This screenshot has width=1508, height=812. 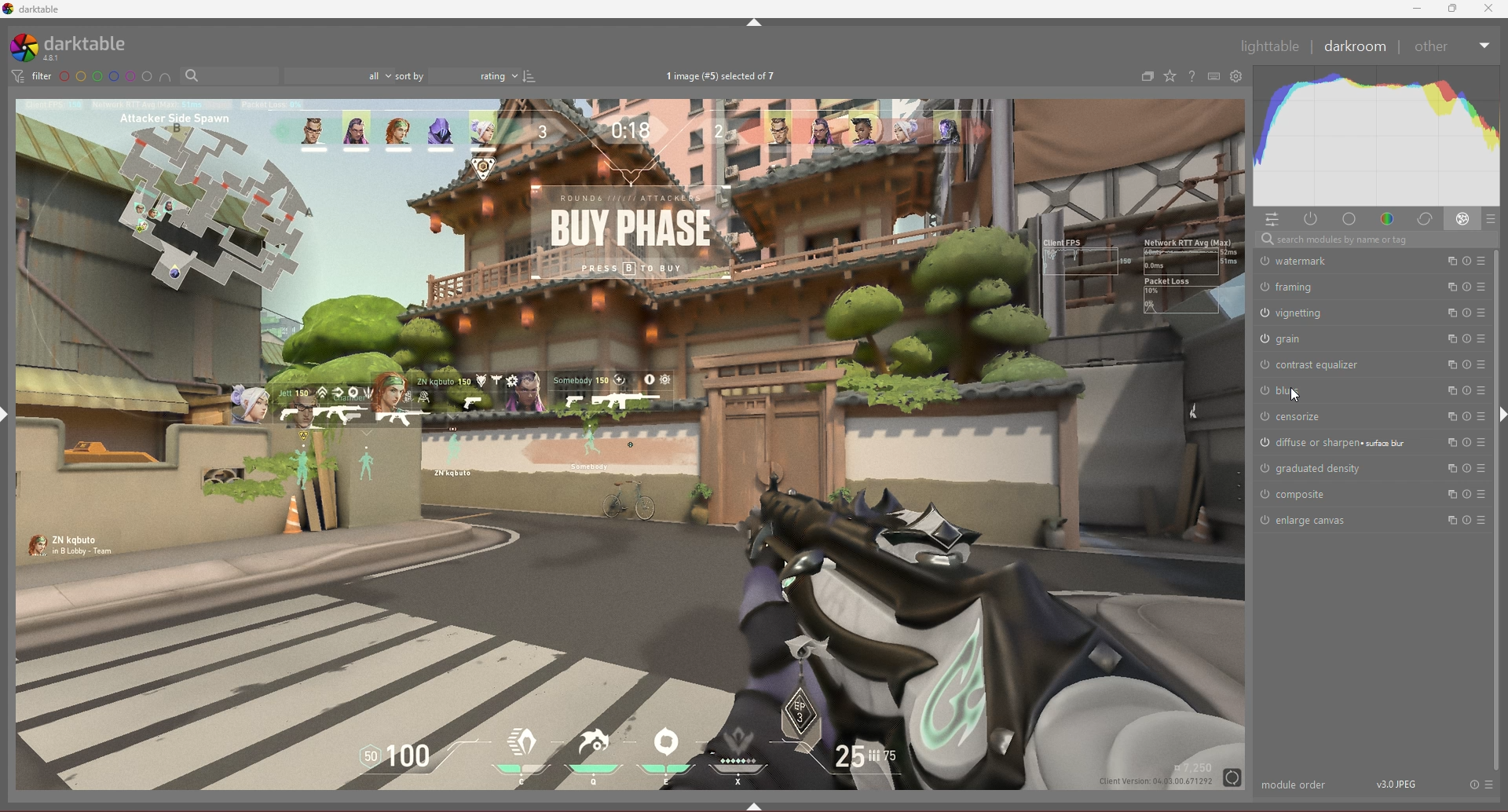 I want to click on effect, so click(x=1463, y=218).